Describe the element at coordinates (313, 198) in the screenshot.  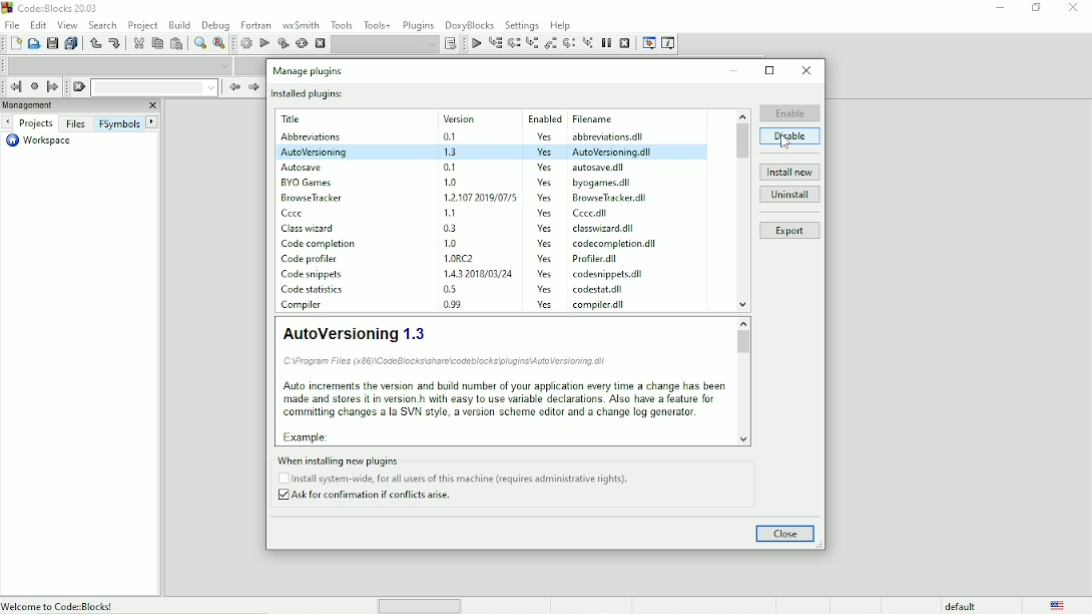
I see `BrowseTracker` at that location.